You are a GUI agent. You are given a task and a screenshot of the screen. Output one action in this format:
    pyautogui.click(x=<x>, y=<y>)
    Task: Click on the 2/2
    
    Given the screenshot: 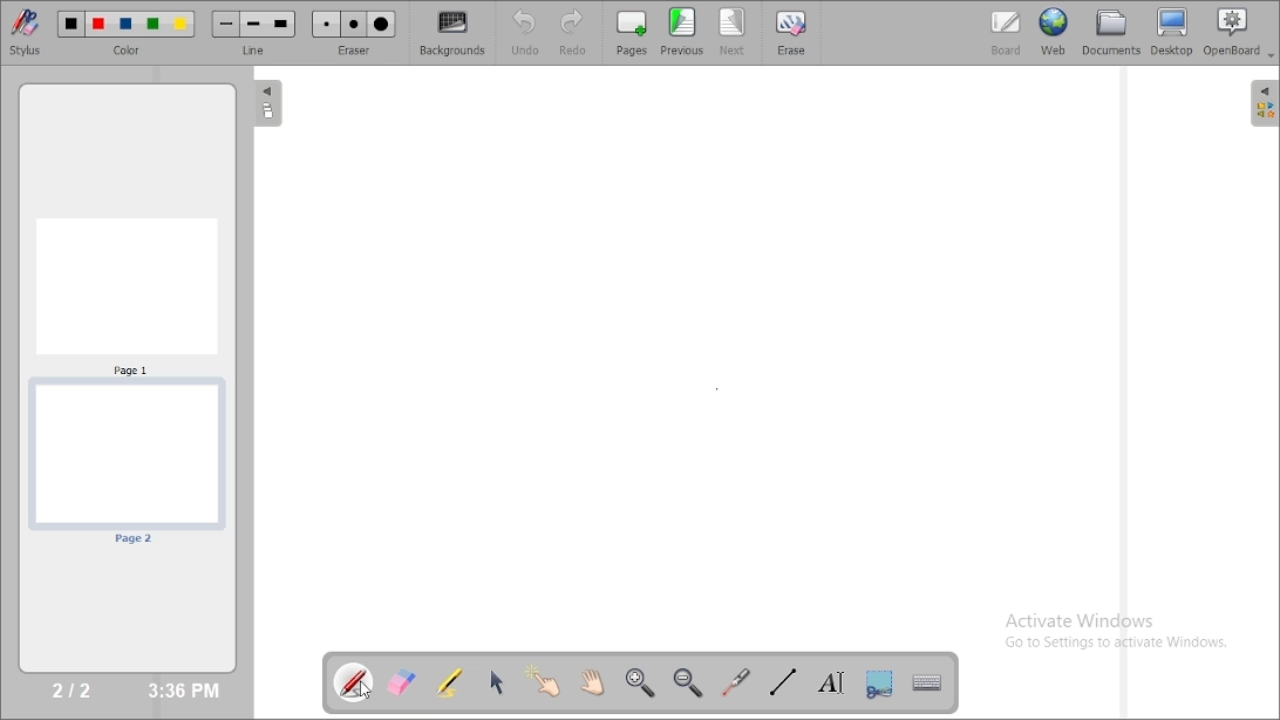 What is the action you would take?
    pyautogui.click(x=73, y=689)
    